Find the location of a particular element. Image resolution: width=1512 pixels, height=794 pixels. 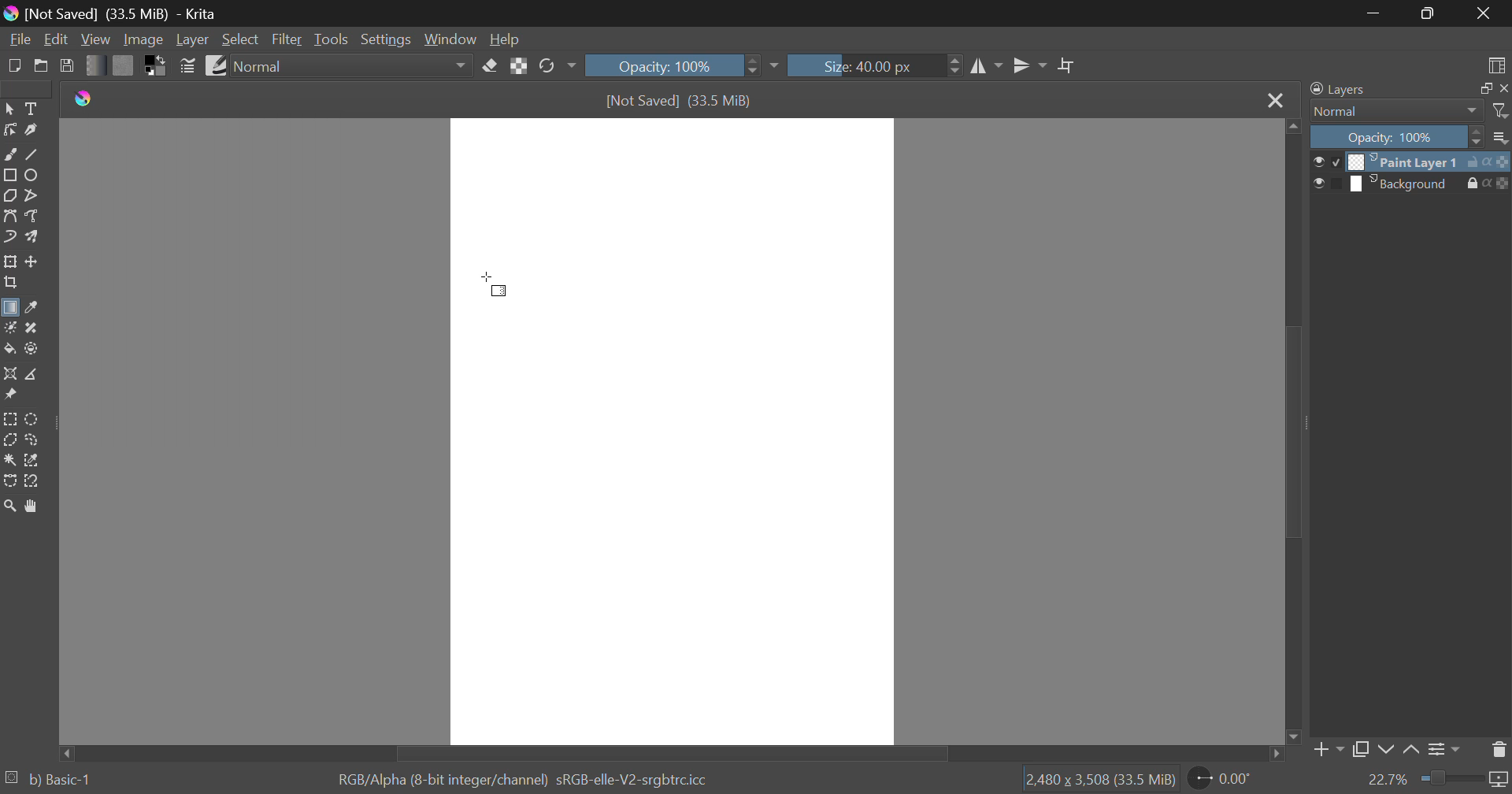

Normal is located at coordinates (354, 66).